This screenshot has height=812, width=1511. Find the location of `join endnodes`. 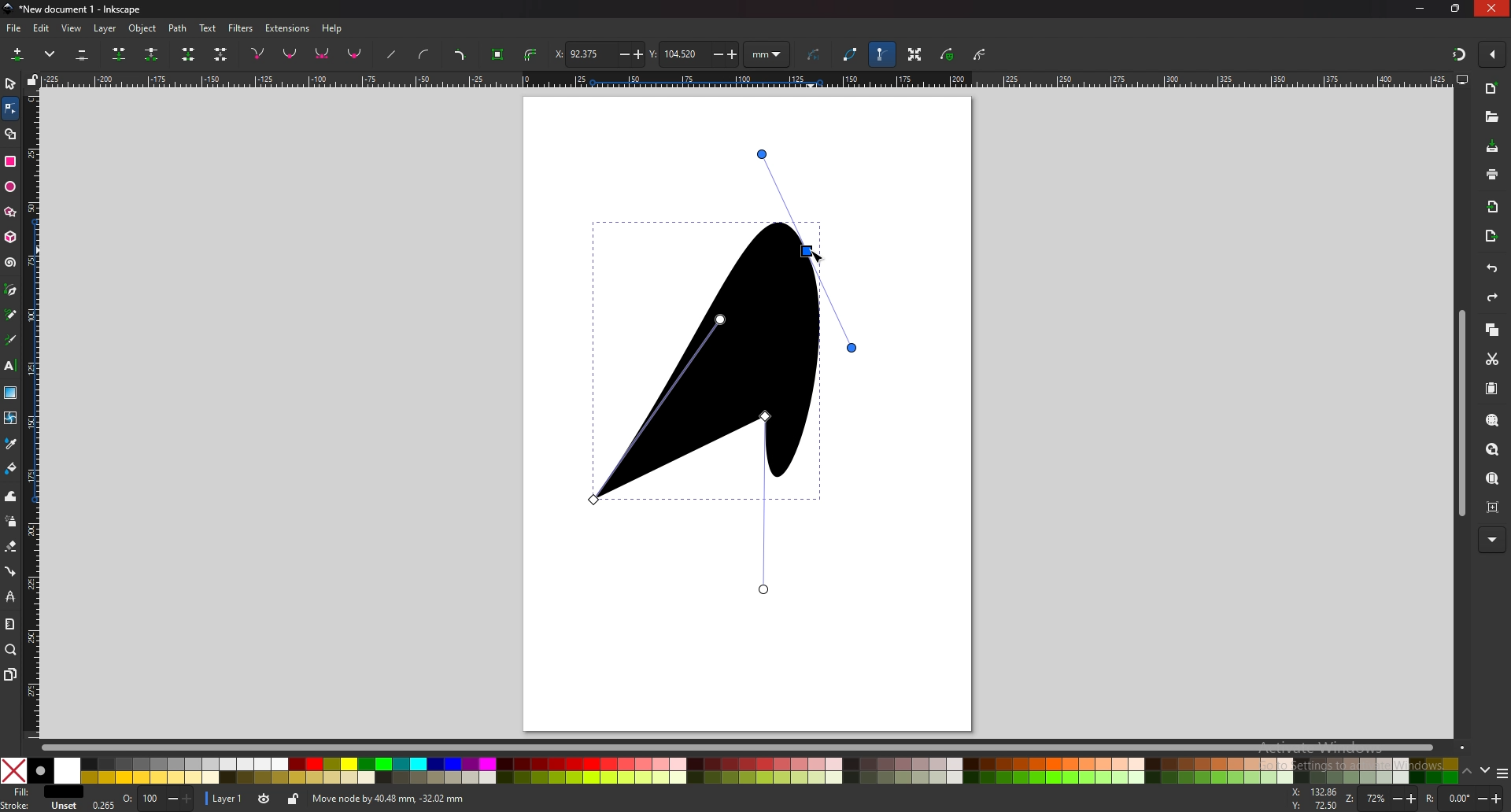

join endnodes is located at coordinates (190, 54).